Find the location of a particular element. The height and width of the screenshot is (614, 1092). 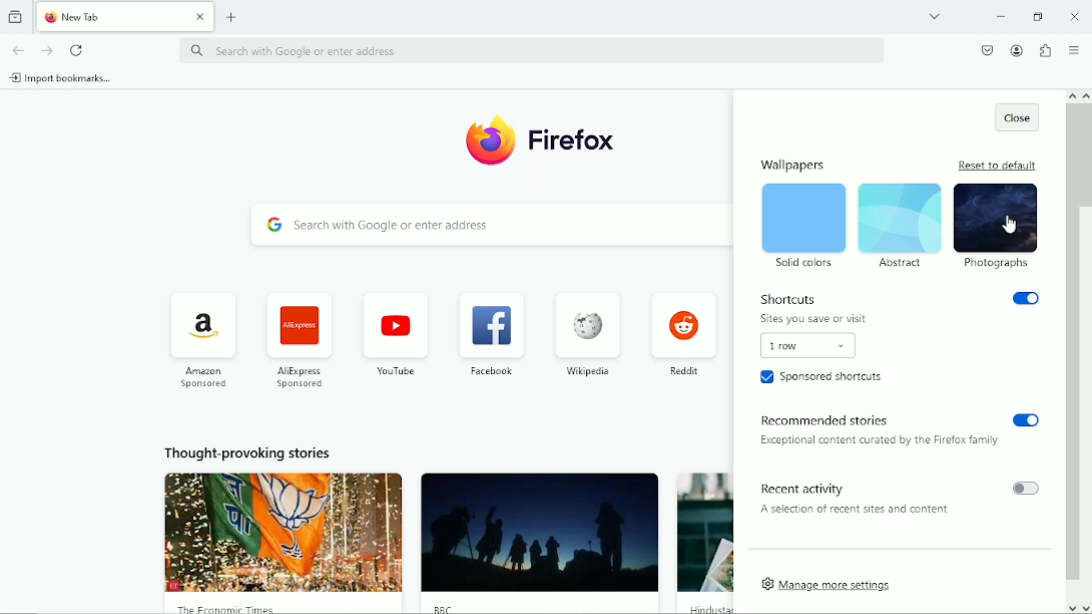

logo is located at coordinates (488, 138).